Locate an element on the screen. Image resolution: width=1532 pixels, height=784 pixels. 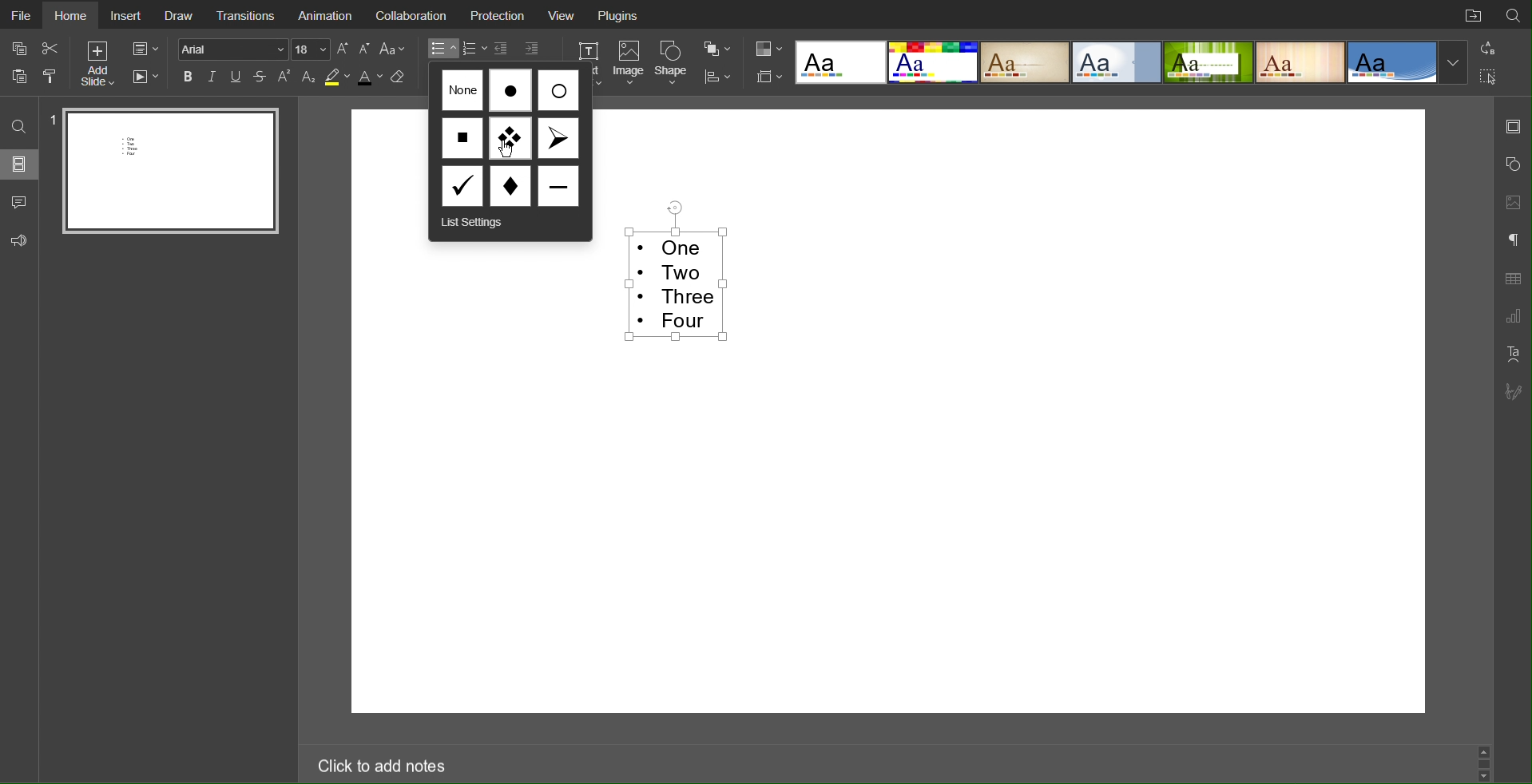
Insert is located at coordinates (127, 15).